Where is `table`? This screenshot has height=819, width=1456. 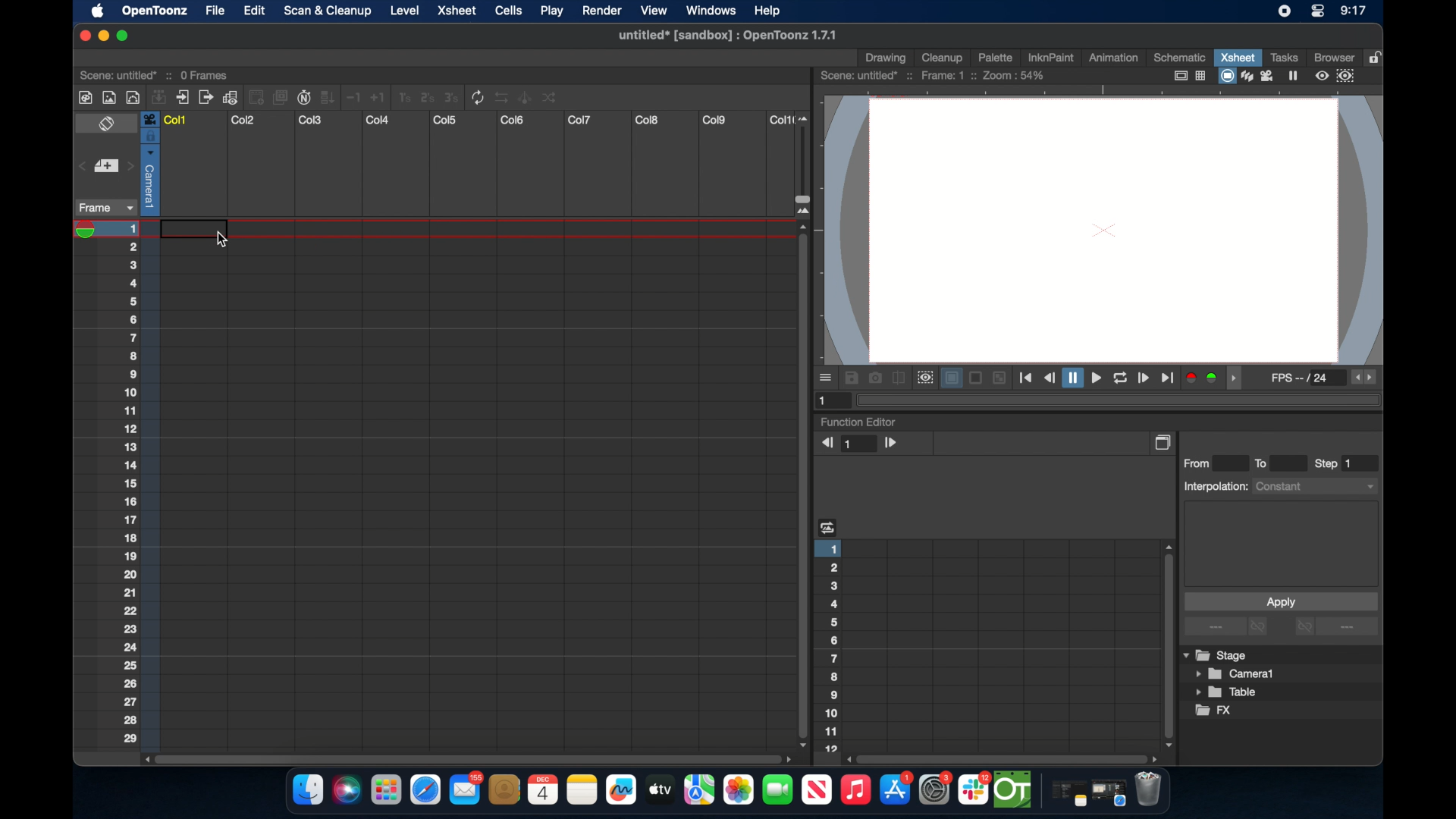
table is located at coordinates (1227, 693).